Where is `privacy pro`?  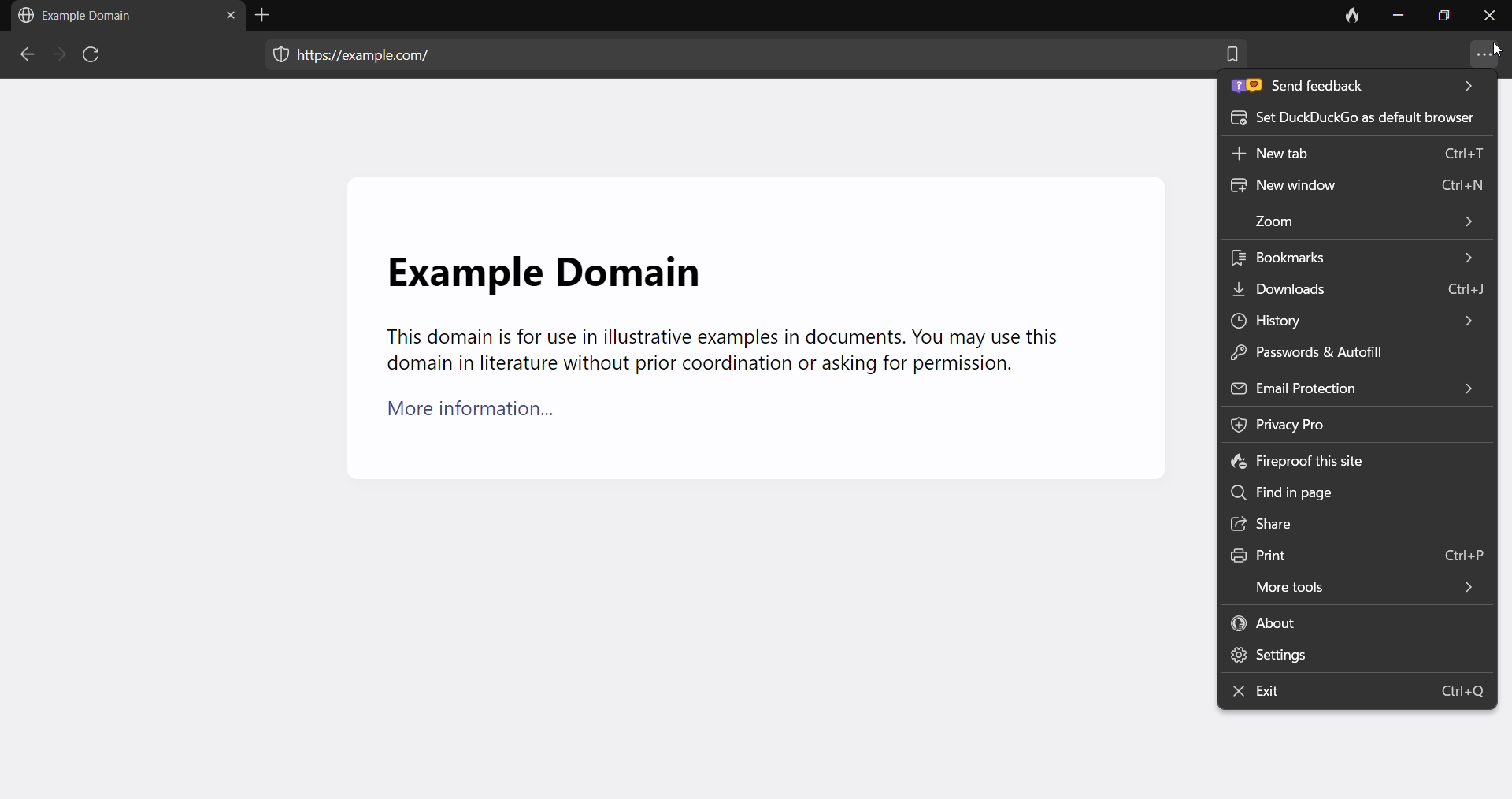 privacy pro is located at coordinates (1319, 424).